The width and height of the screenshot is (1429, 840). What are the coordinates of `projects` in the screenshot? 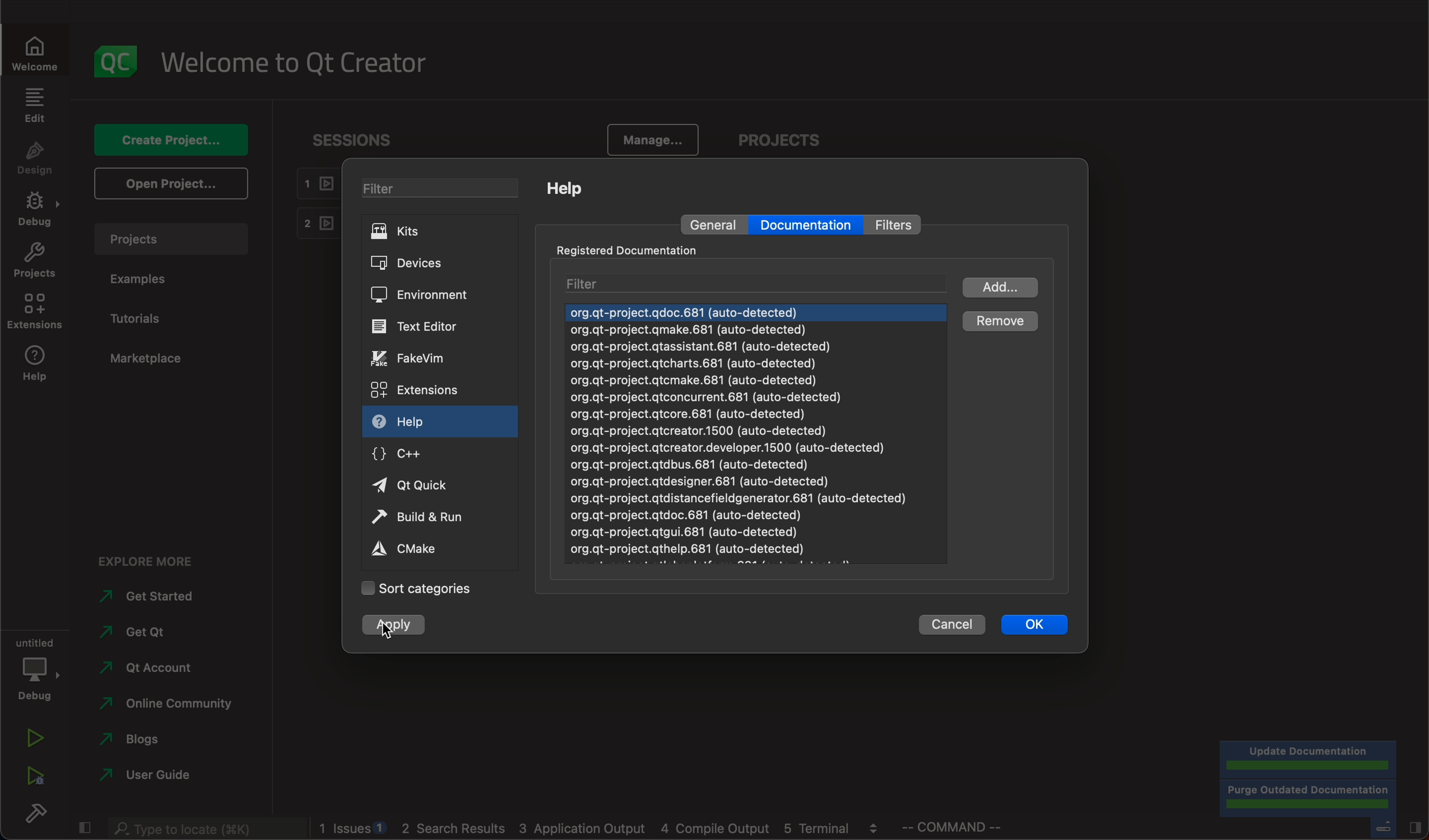 It's located at (171, 242).